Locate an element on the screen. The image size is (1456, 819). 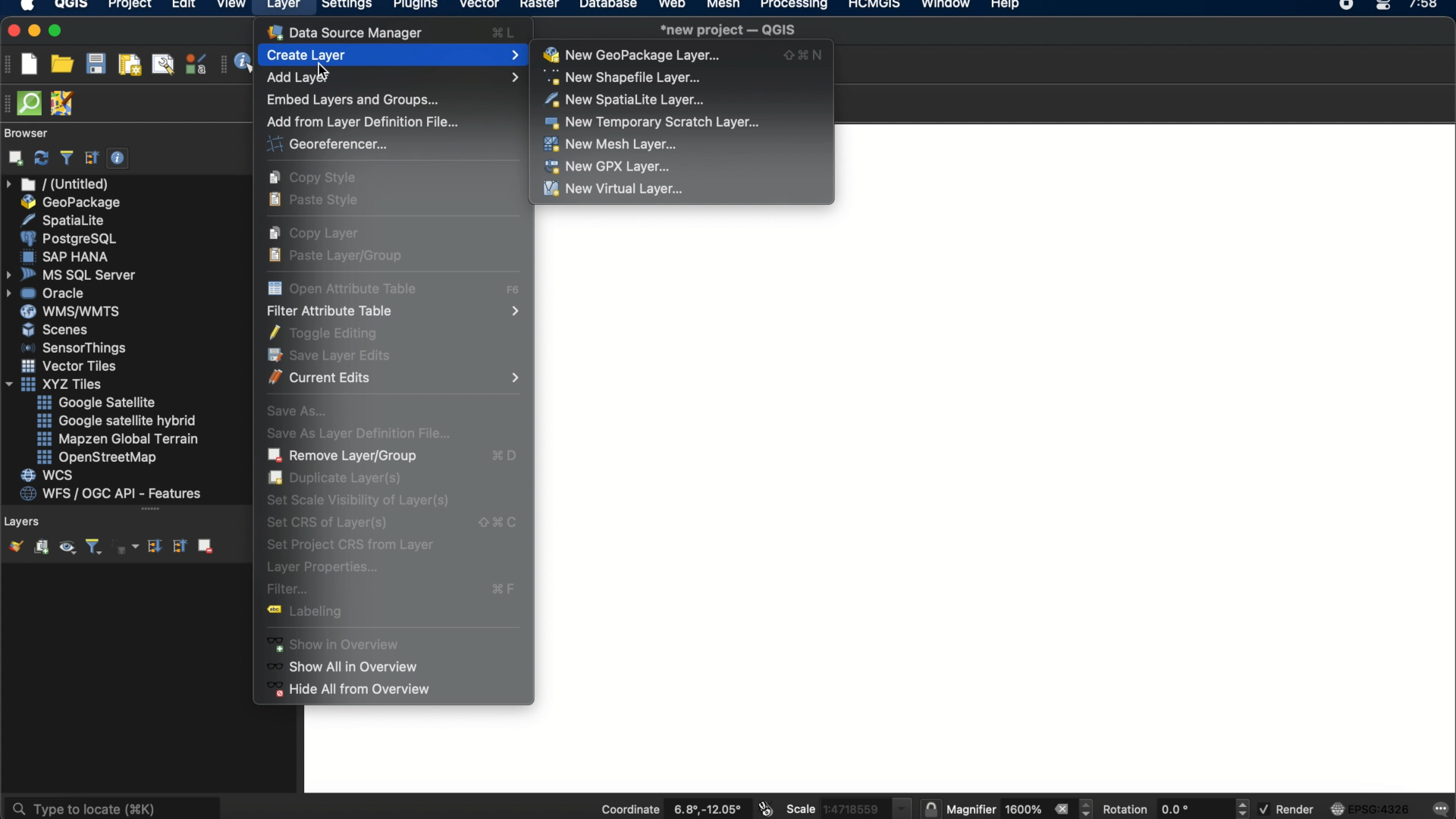
style manager is located at coordinates (196, 64).